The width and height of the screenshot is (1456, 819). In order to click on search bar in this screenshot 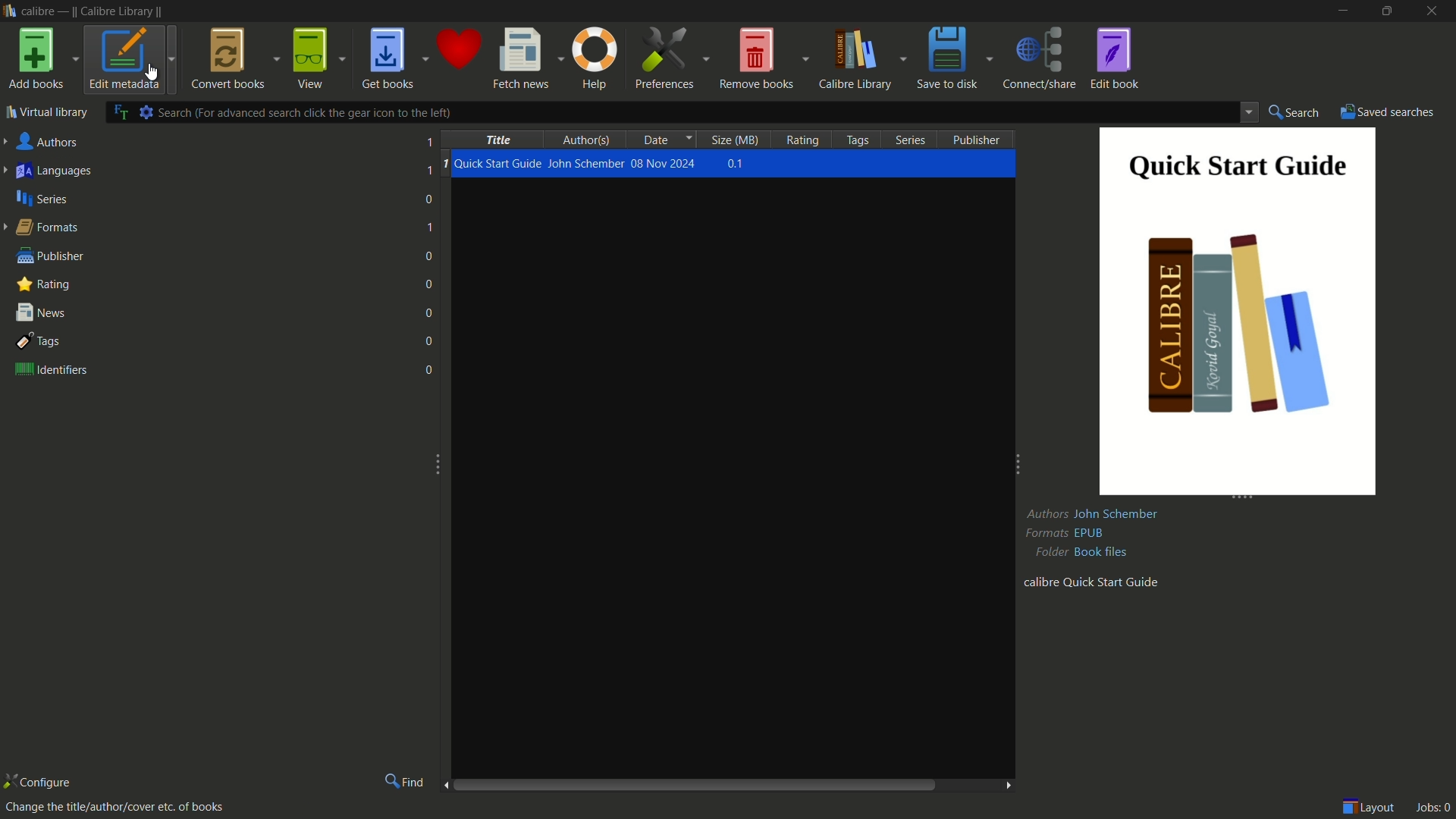, I will do `click(709, 112)`.